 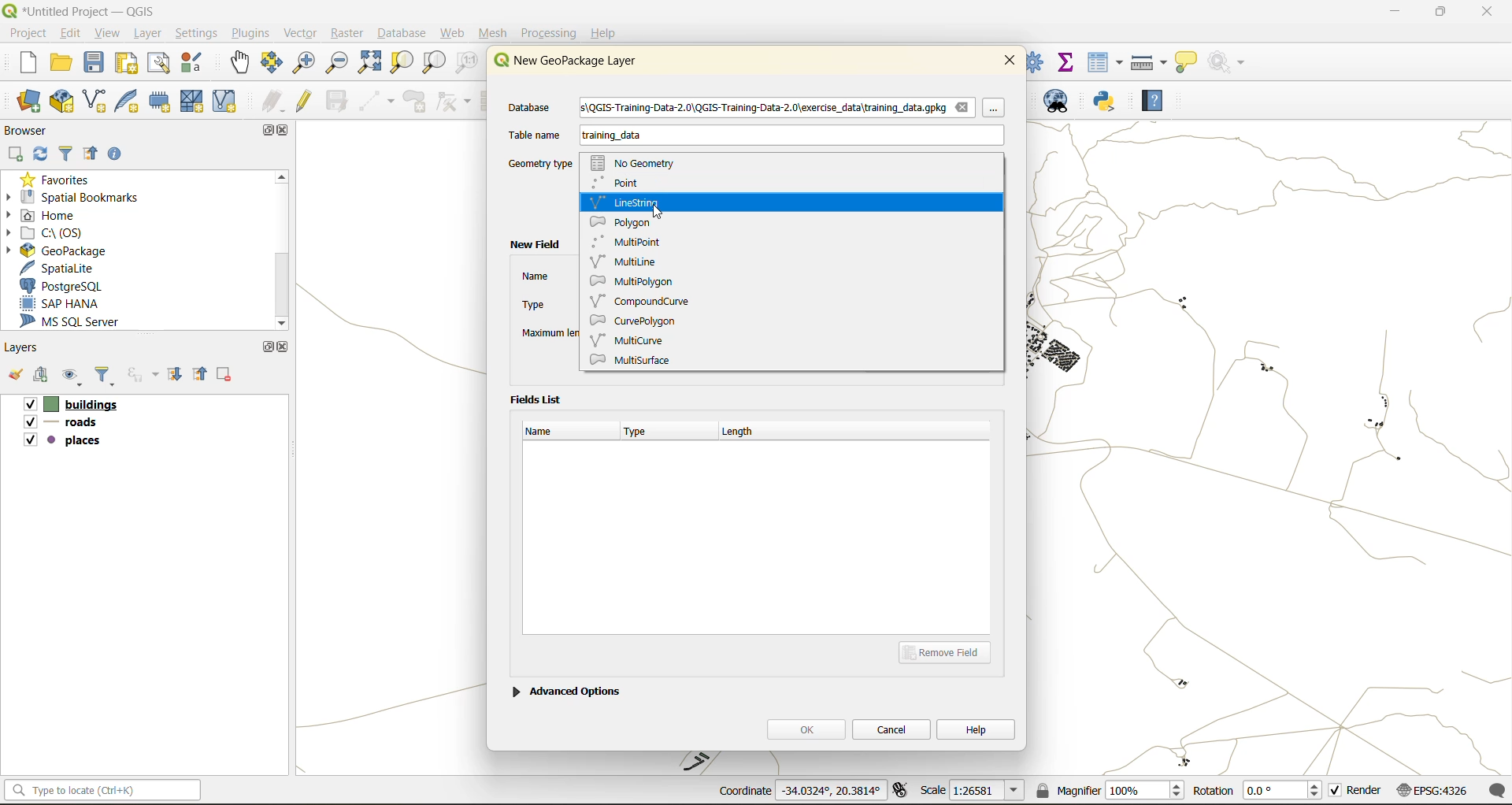 I want to click on linestring, so click(x=632, y=202).